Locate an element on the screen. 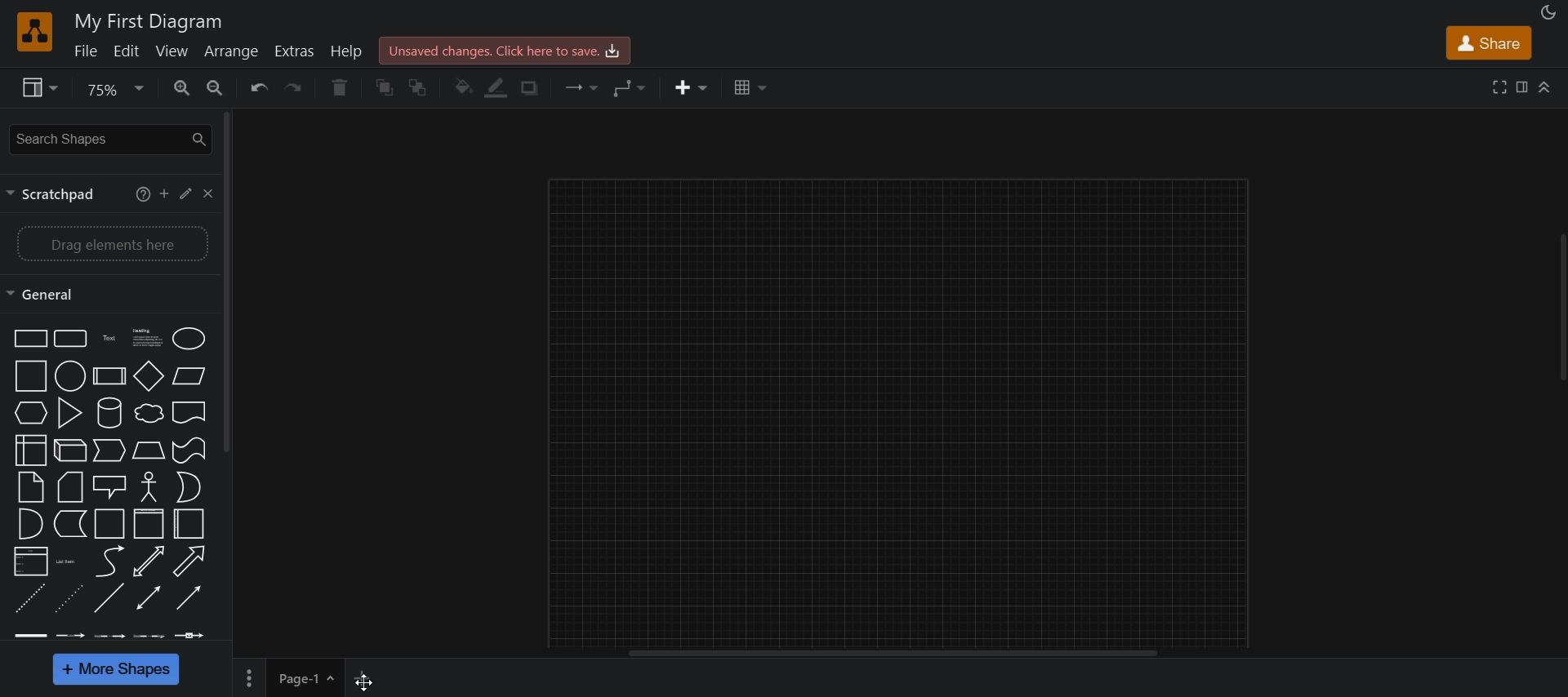  undo  is located at coordinates (261, 89).